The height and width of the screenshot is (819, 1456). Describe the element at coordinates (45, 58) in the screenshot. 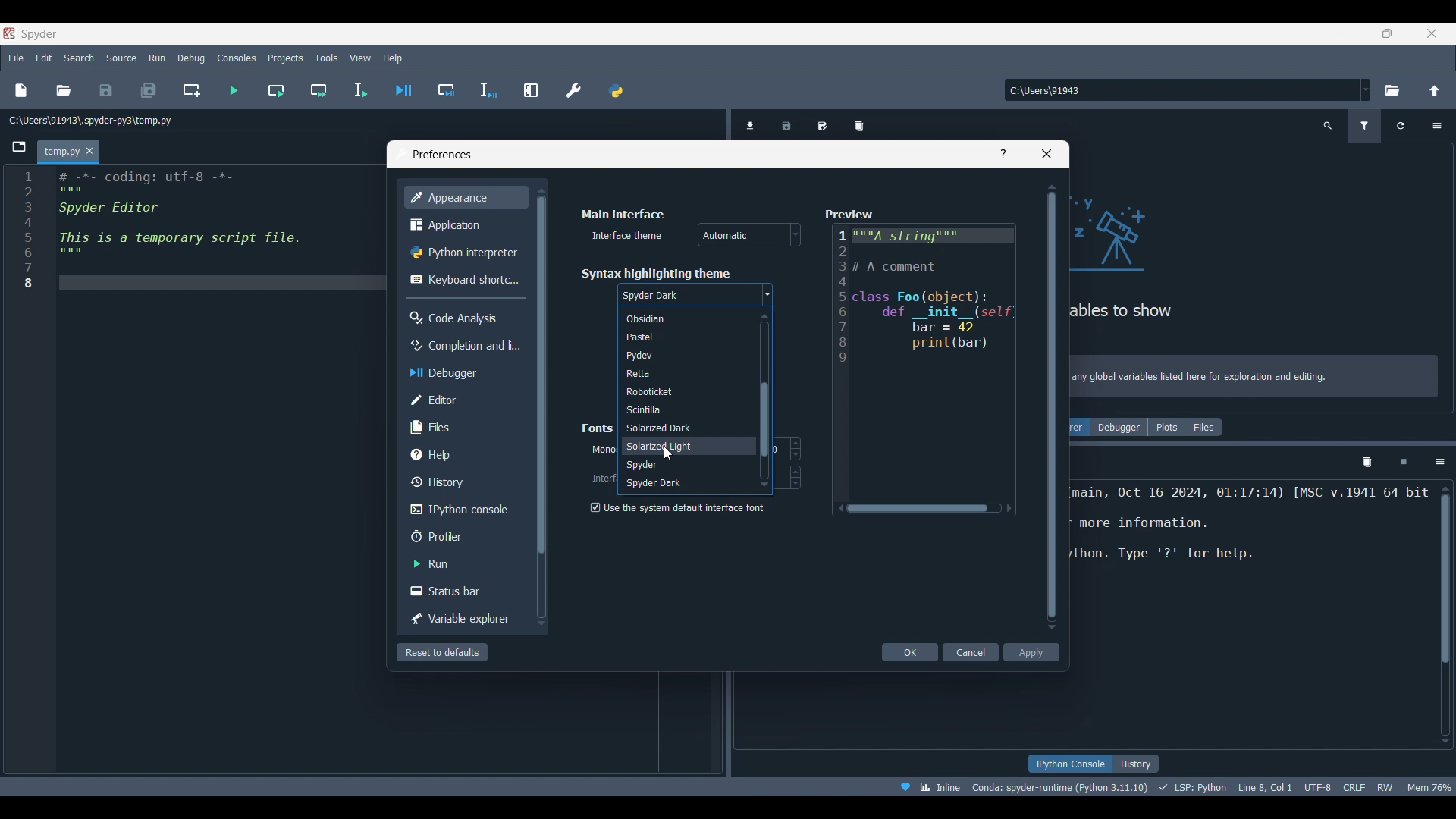

I see `Edit menu` at that location.